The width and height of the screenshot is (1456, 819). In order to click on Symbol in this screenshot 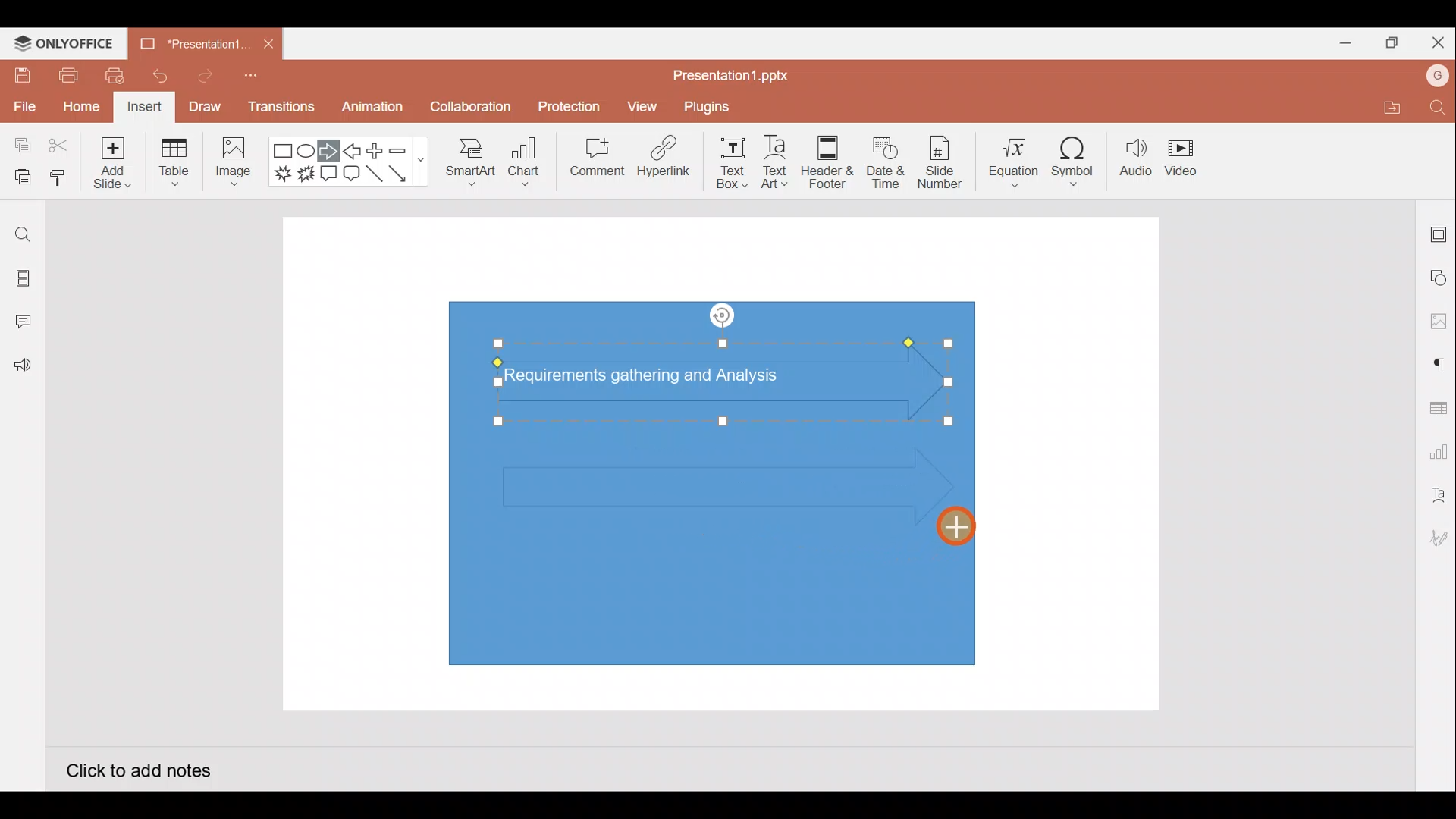, I will do `click(1074, 158)`.